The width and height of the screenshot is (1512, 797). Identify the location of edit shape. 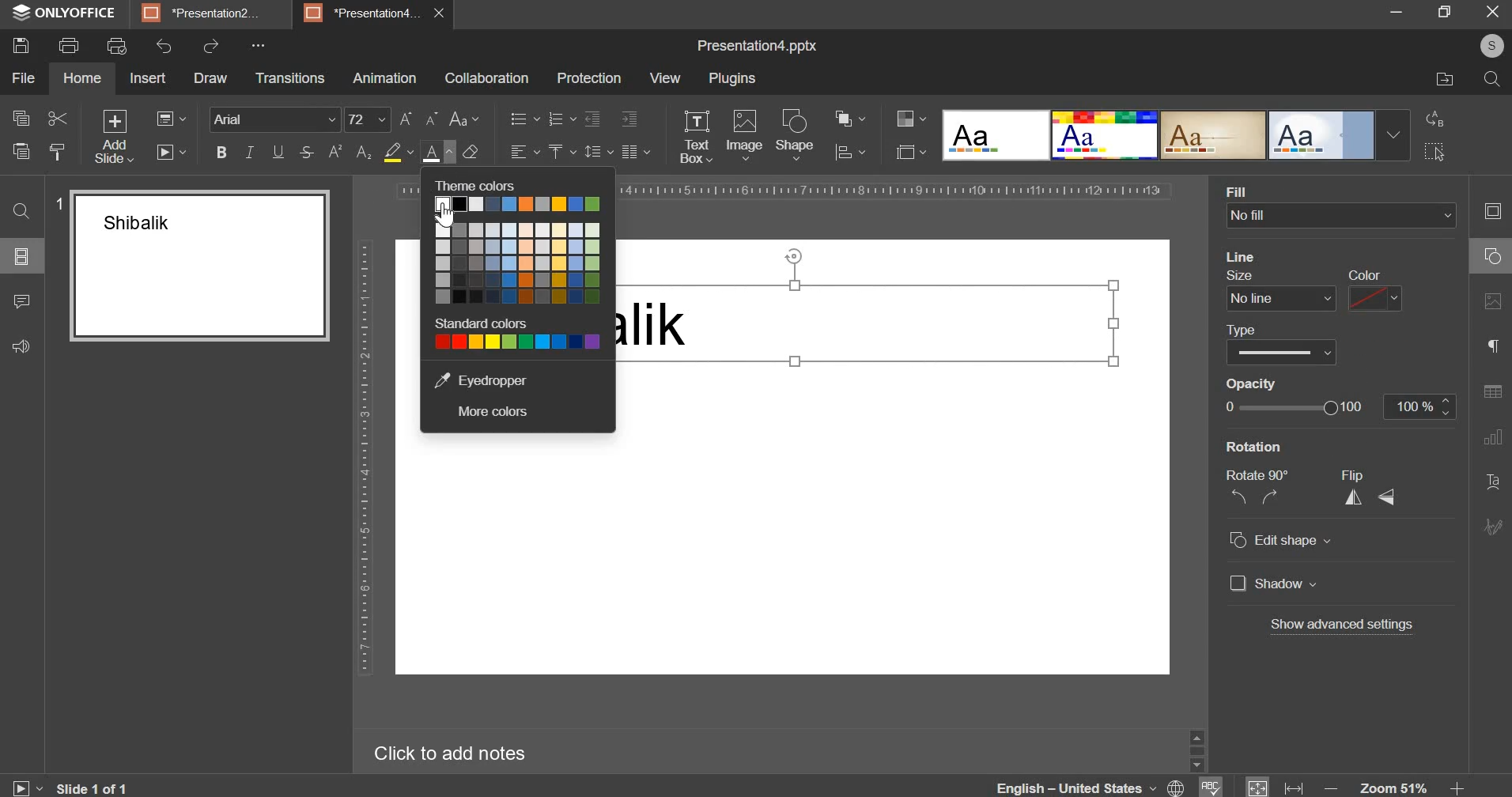
(1280, 541).